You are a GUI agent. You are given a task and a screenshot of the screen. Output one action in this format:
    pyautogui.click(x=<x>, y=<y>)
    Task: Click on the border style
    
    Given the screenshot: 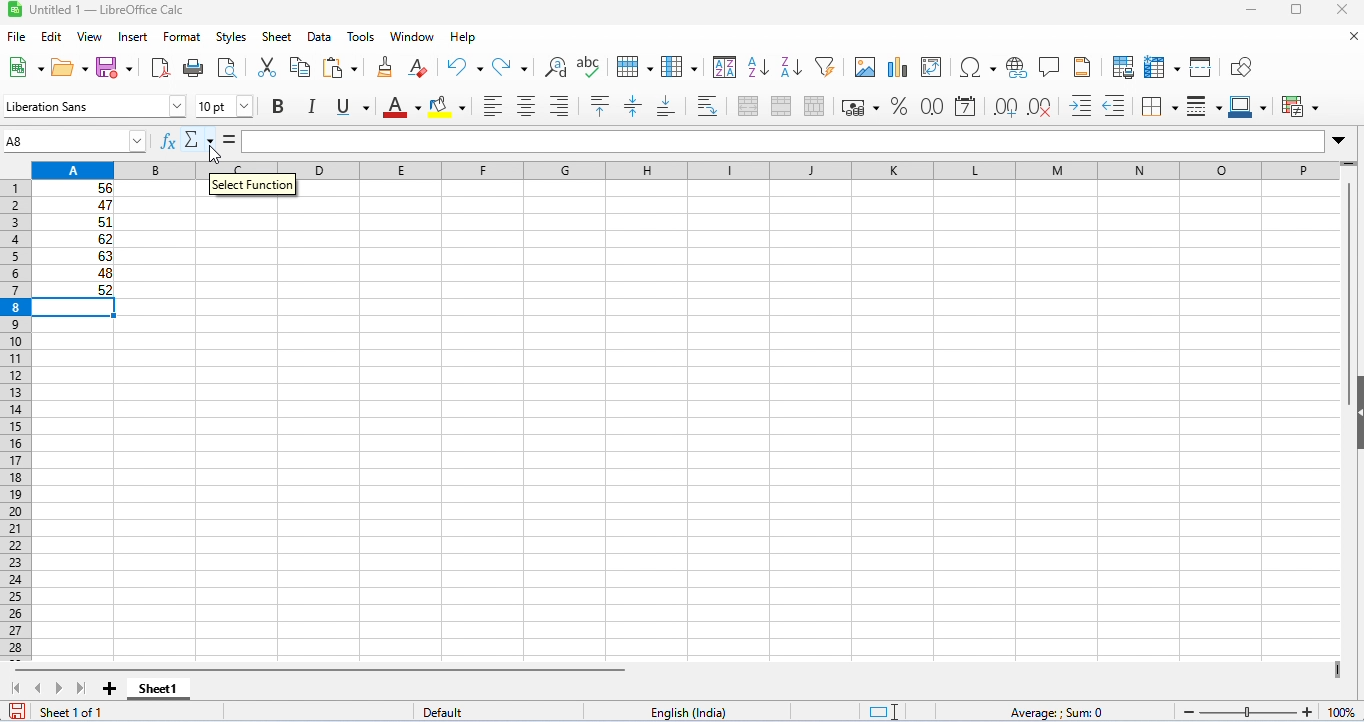 What is the action you would take?
    pyautogui.click(x=1204, y=107)
    